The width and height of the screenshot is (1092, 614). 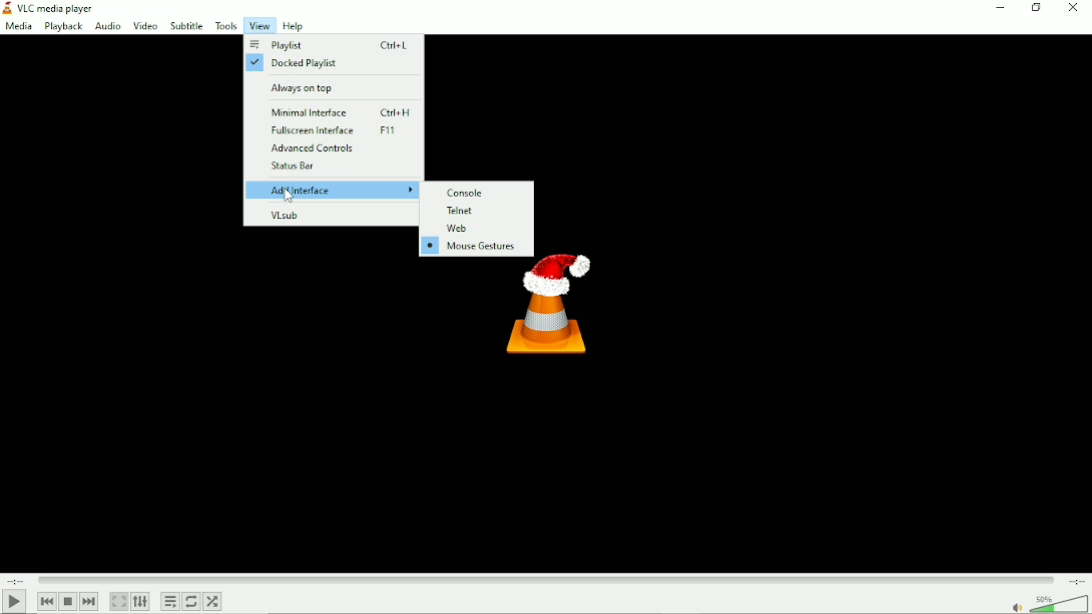 I want to click on VLsub, so click(x=332, y=214).